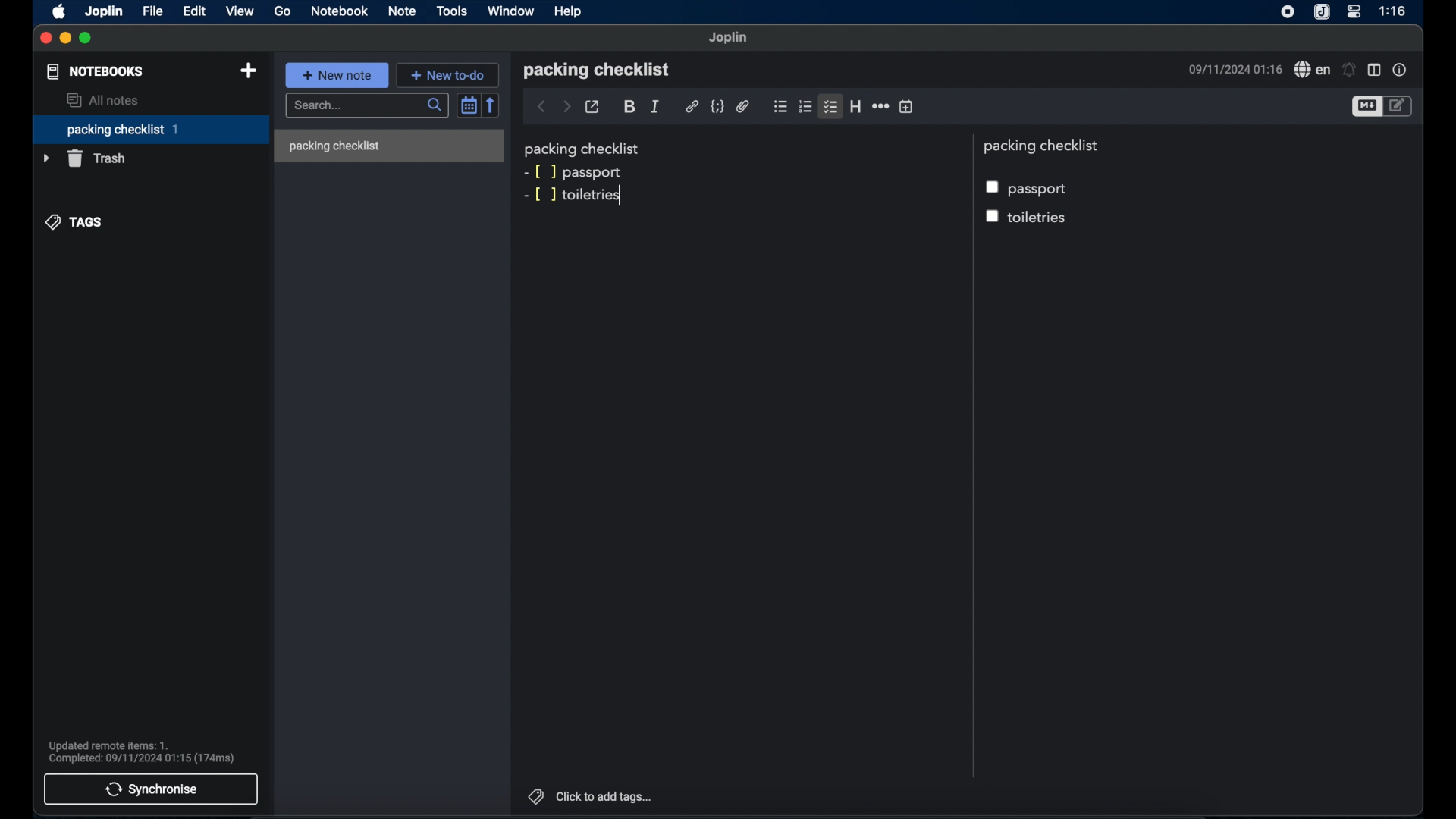 The width and height of the screenshot is (1456, 819). I want to click on back, so click(541, 107).